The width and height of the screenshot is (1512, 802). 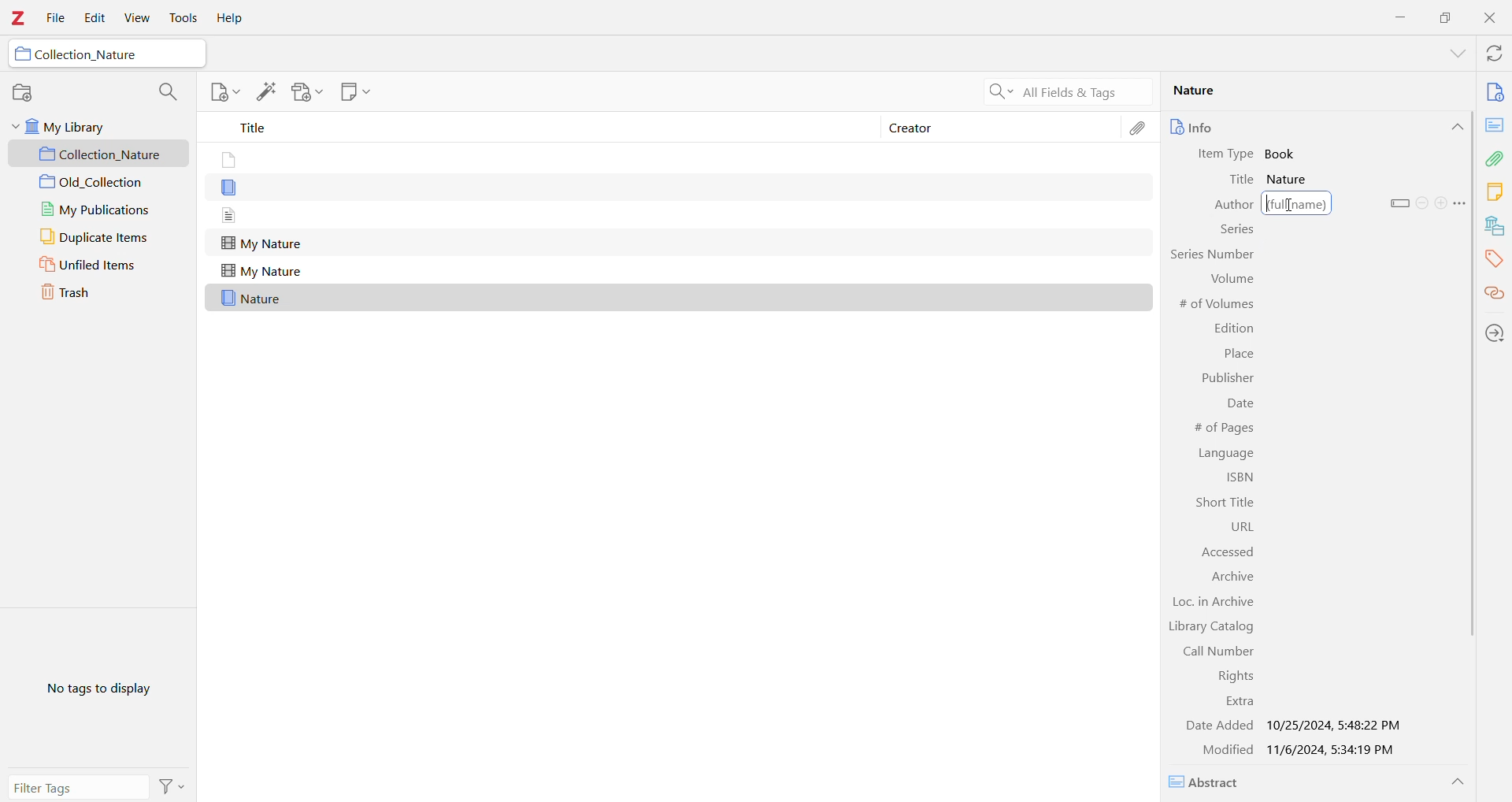 What do you see at coordinates (1494, 193) in the screenshot?
I see `Notes` at bounding box center [1494, 193].